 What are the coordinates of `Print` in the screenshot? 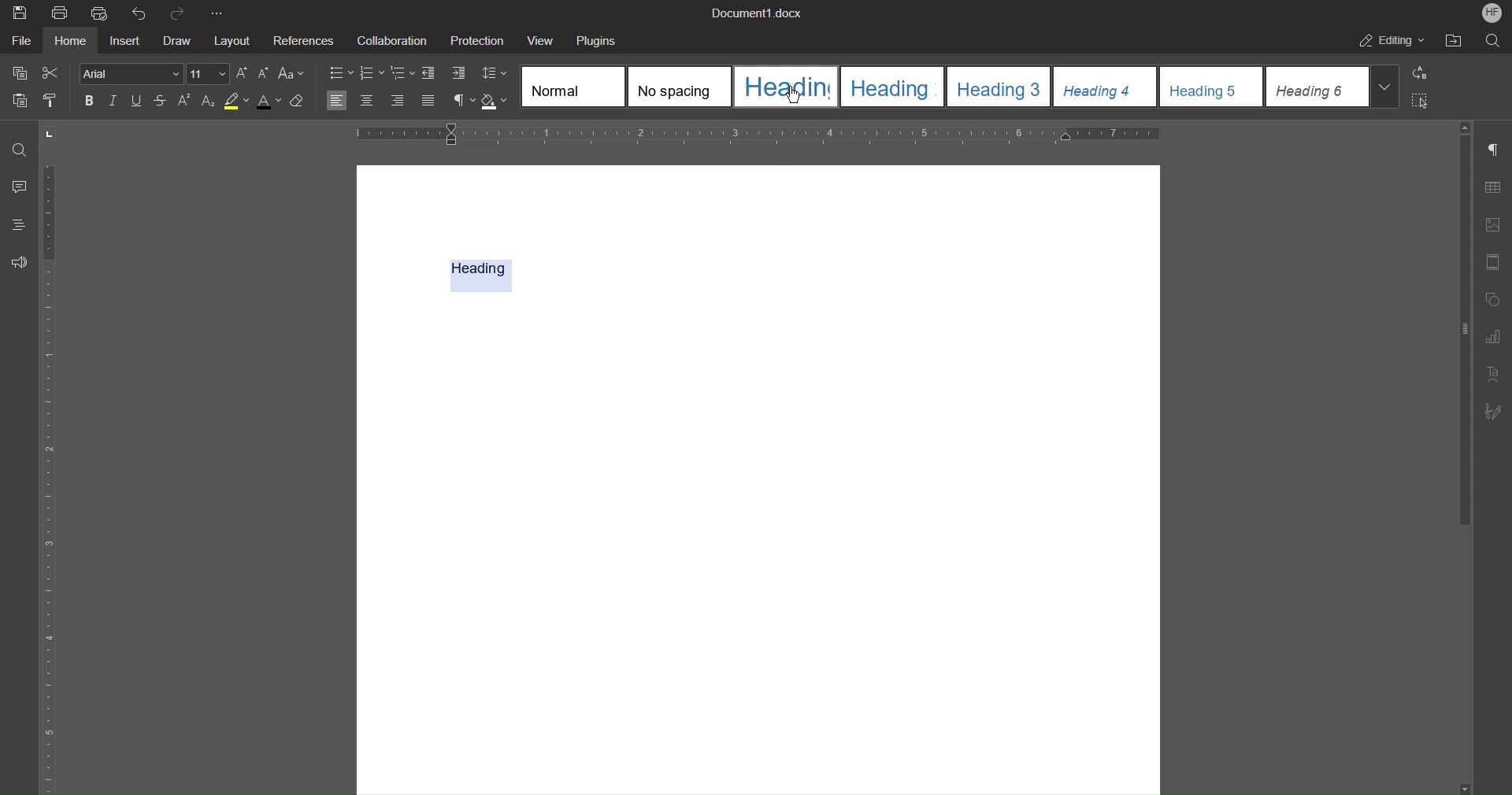 It's located at (64, 15).